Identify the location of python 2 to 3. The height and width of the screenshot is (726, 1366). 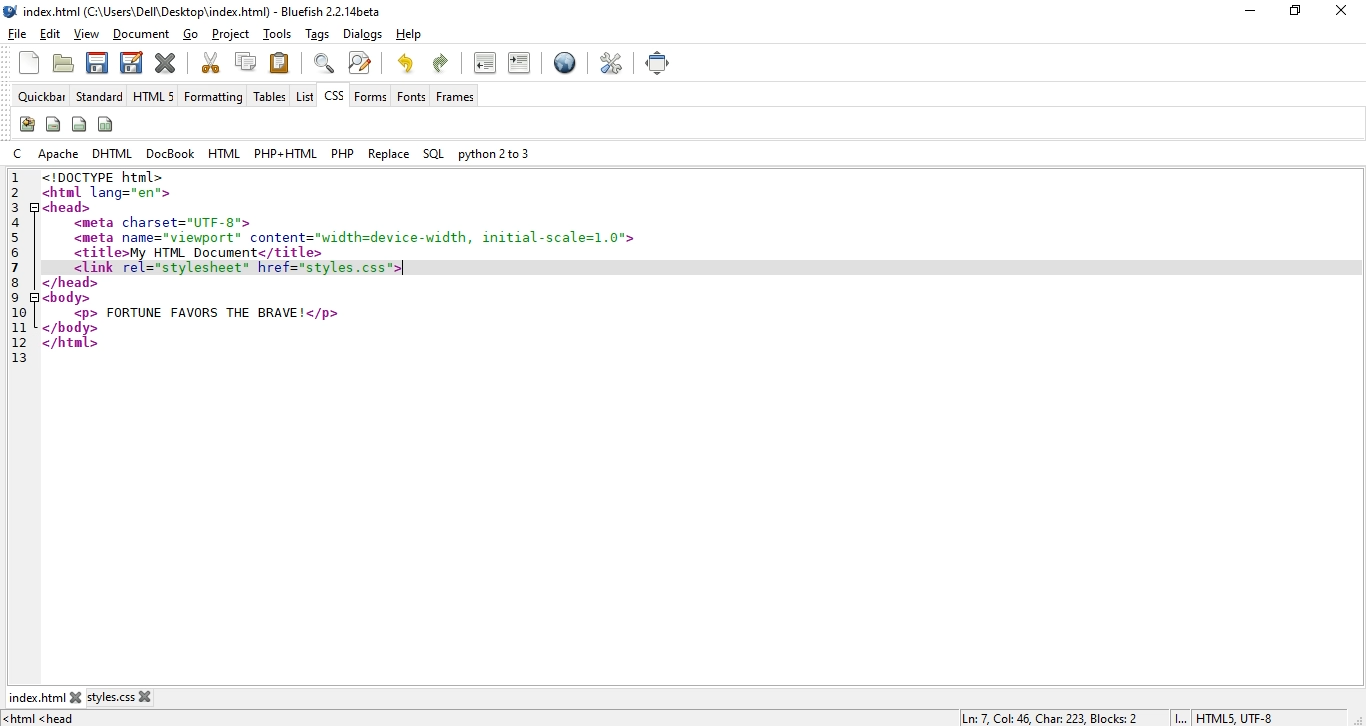
(492, 153).